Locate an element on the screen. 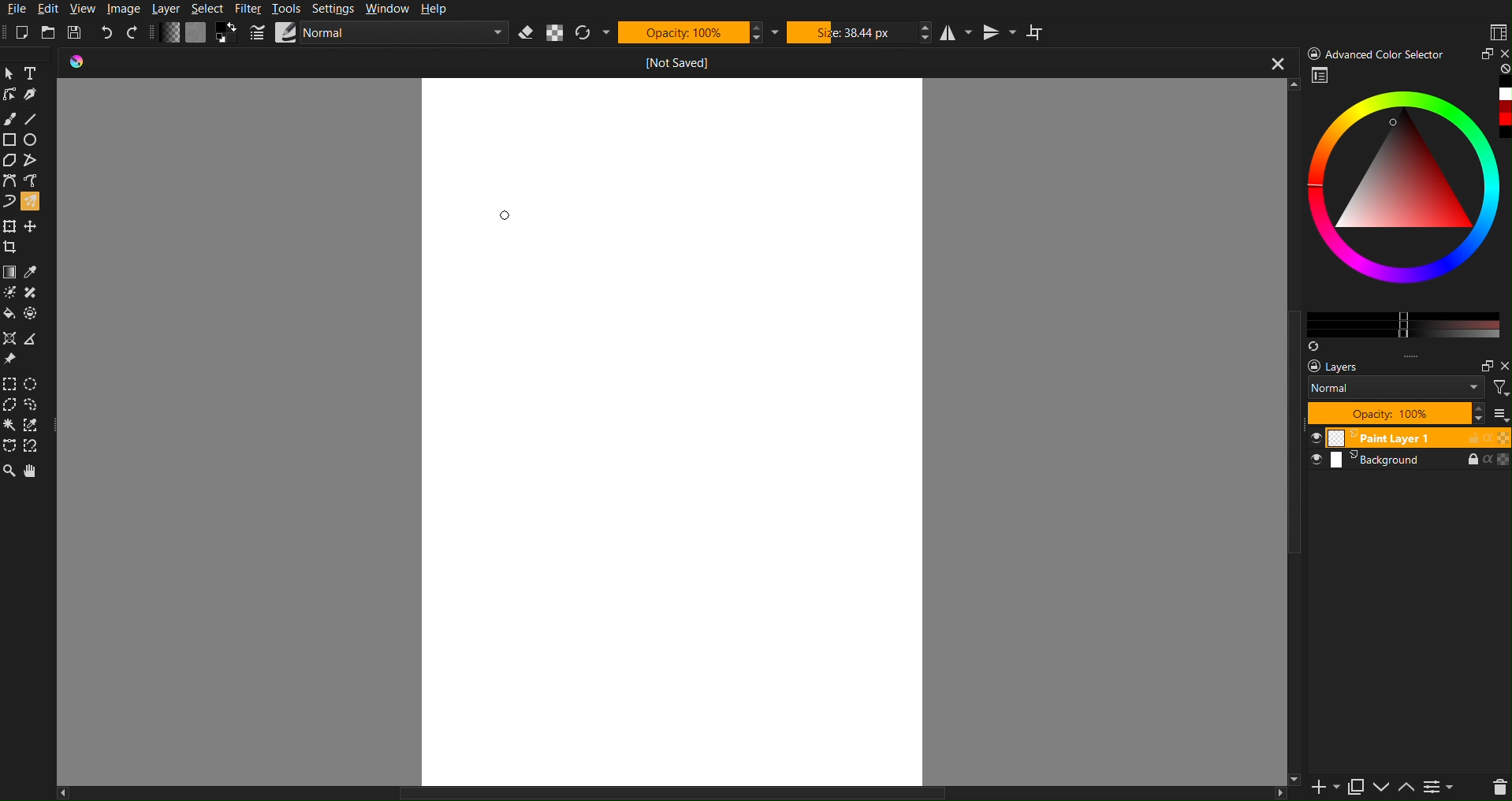 Image resolution: width=1512 pixels, height=801 pixels. Reference Images Tool is located at coordinates (11, 360).